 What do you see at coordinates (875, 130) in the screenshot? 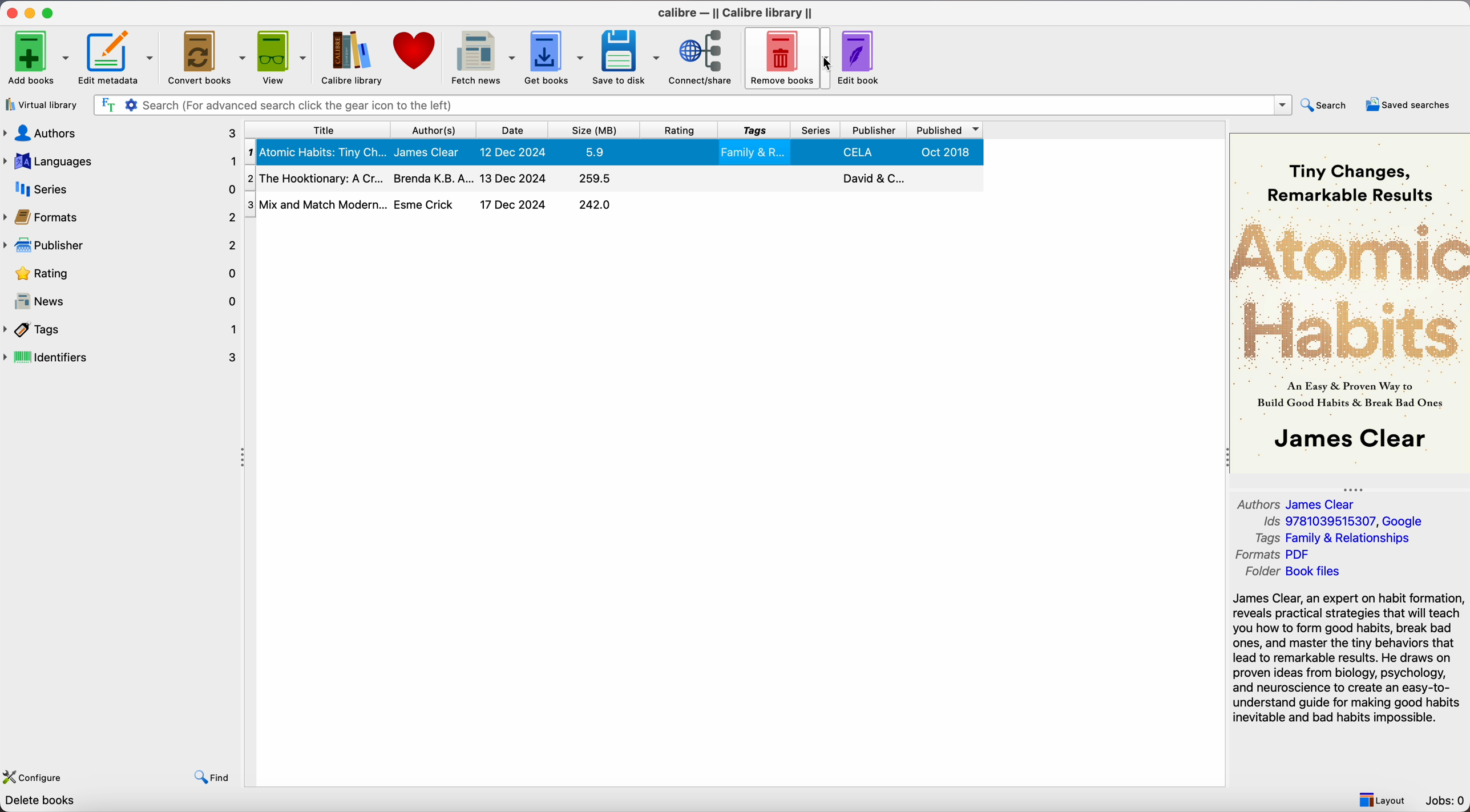
I see `publisher` at bounding box center [875, 130].